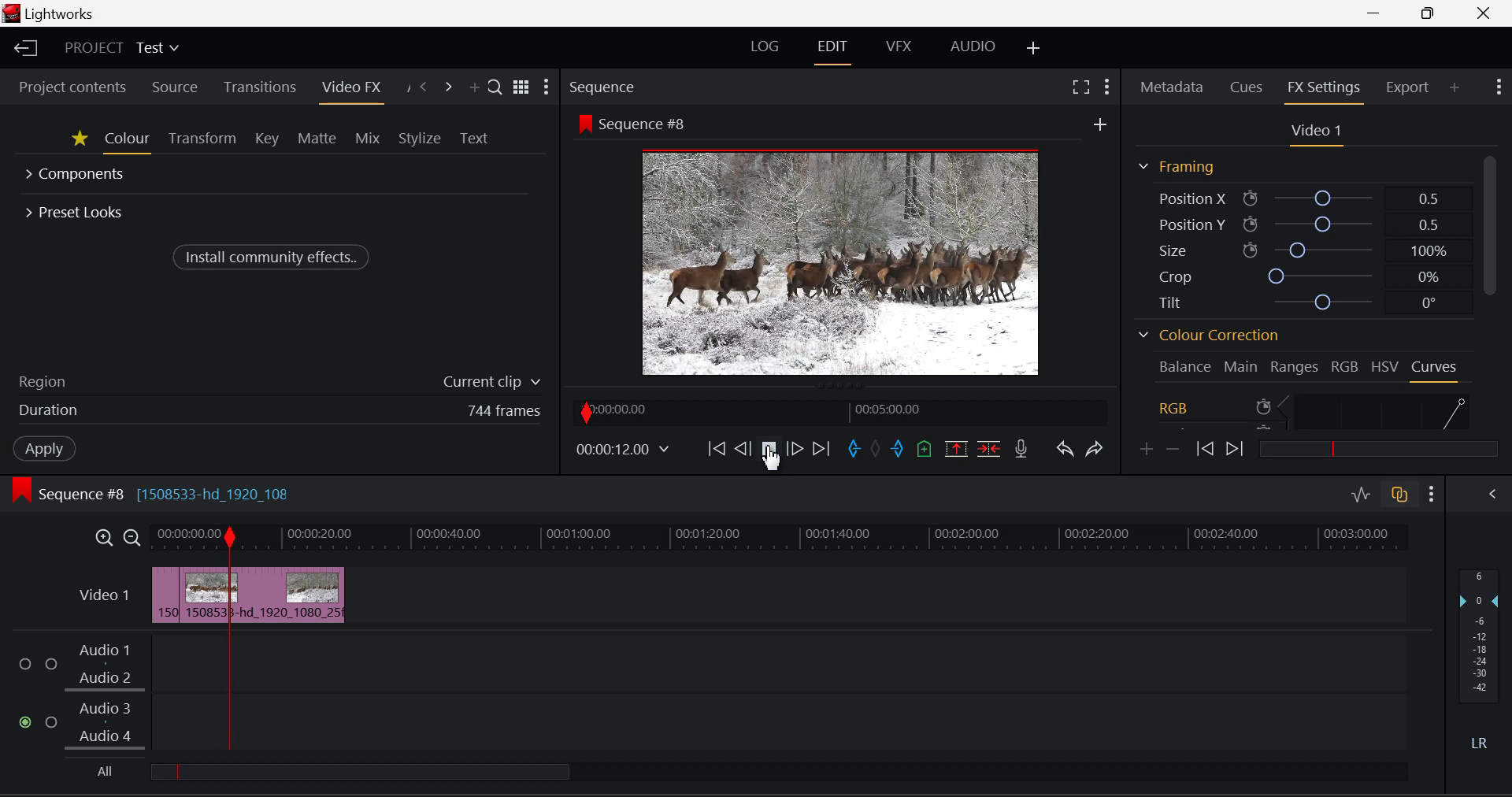 This screenshot has height=797, width=1512. I want to click on Video FX, so click(349, 87).